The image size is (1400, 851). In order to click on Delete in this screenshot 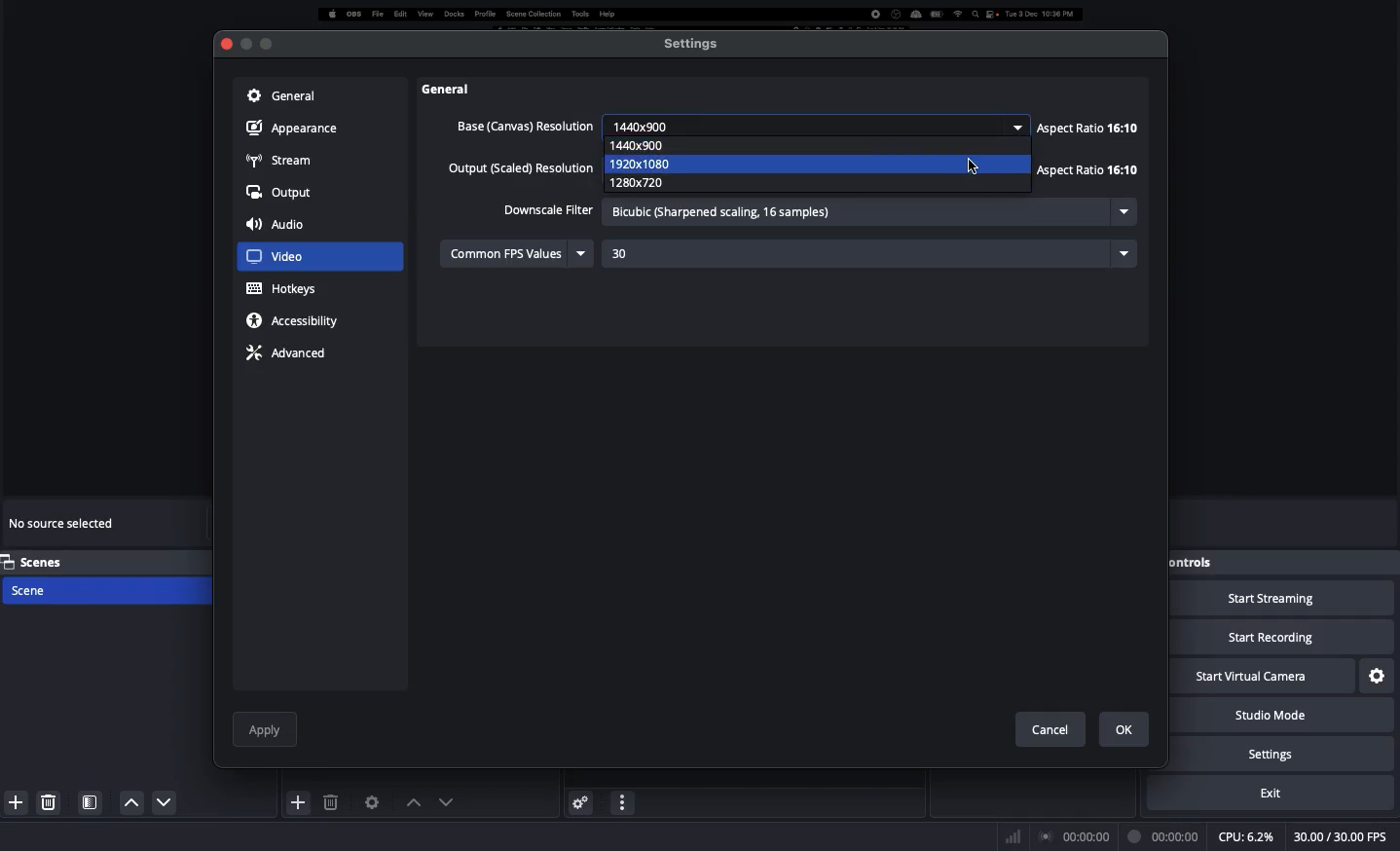, I will do `click(51, 801)`.